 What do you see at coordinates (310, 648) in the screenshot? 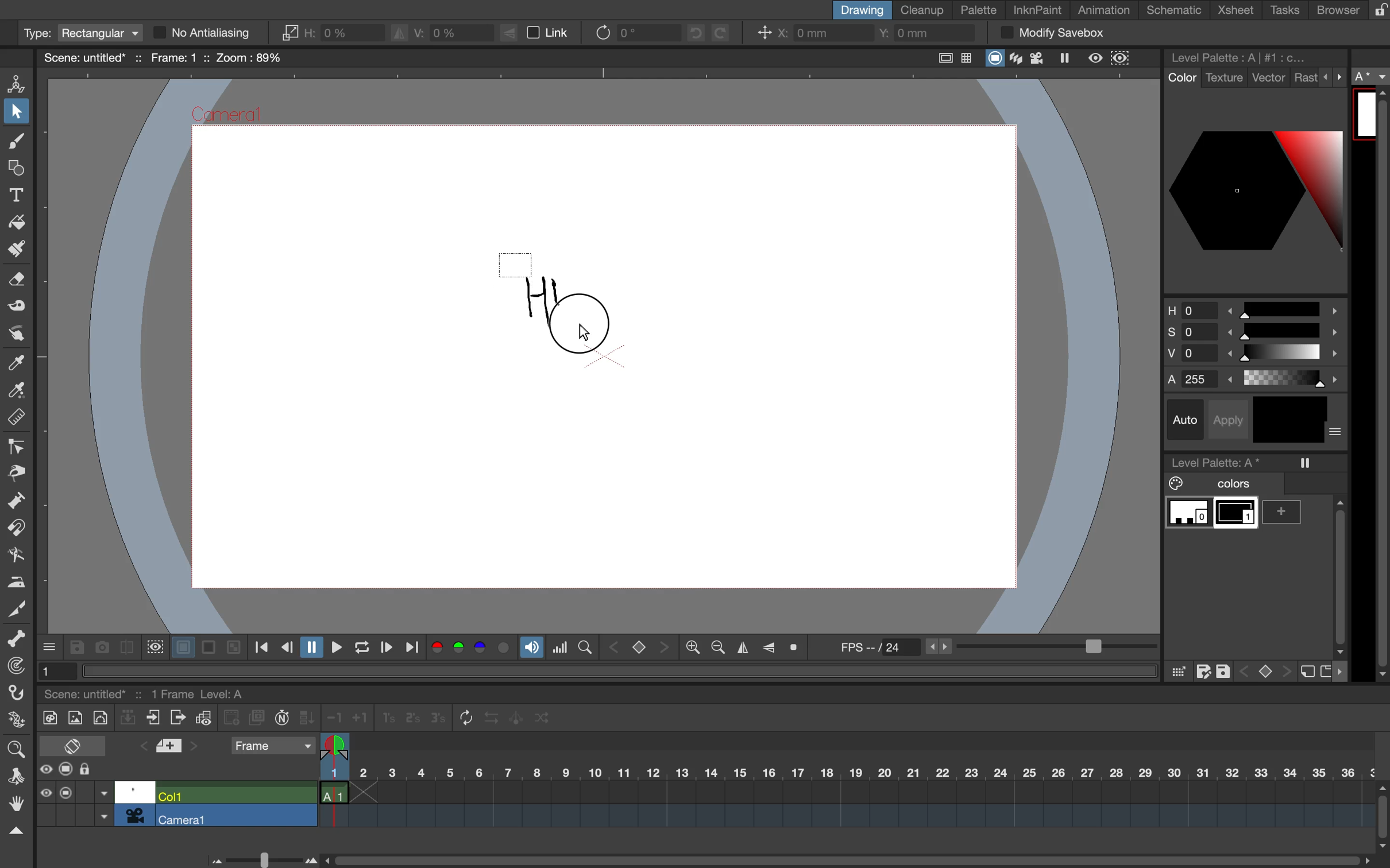
I see `pause` at bounding box center [310, 648].